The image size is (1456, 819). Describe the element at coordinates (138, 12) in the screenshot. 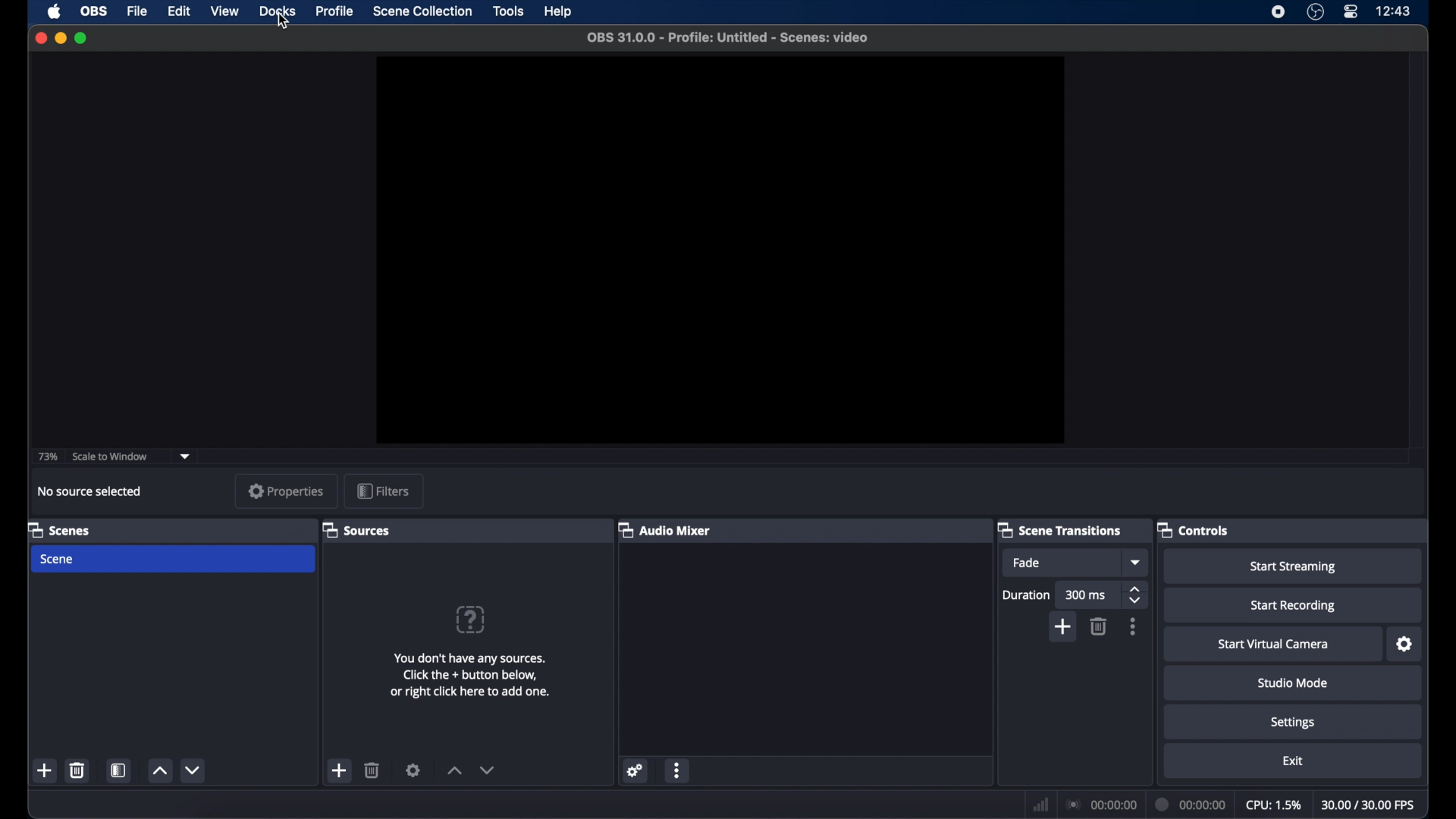

I see `file` at that location.